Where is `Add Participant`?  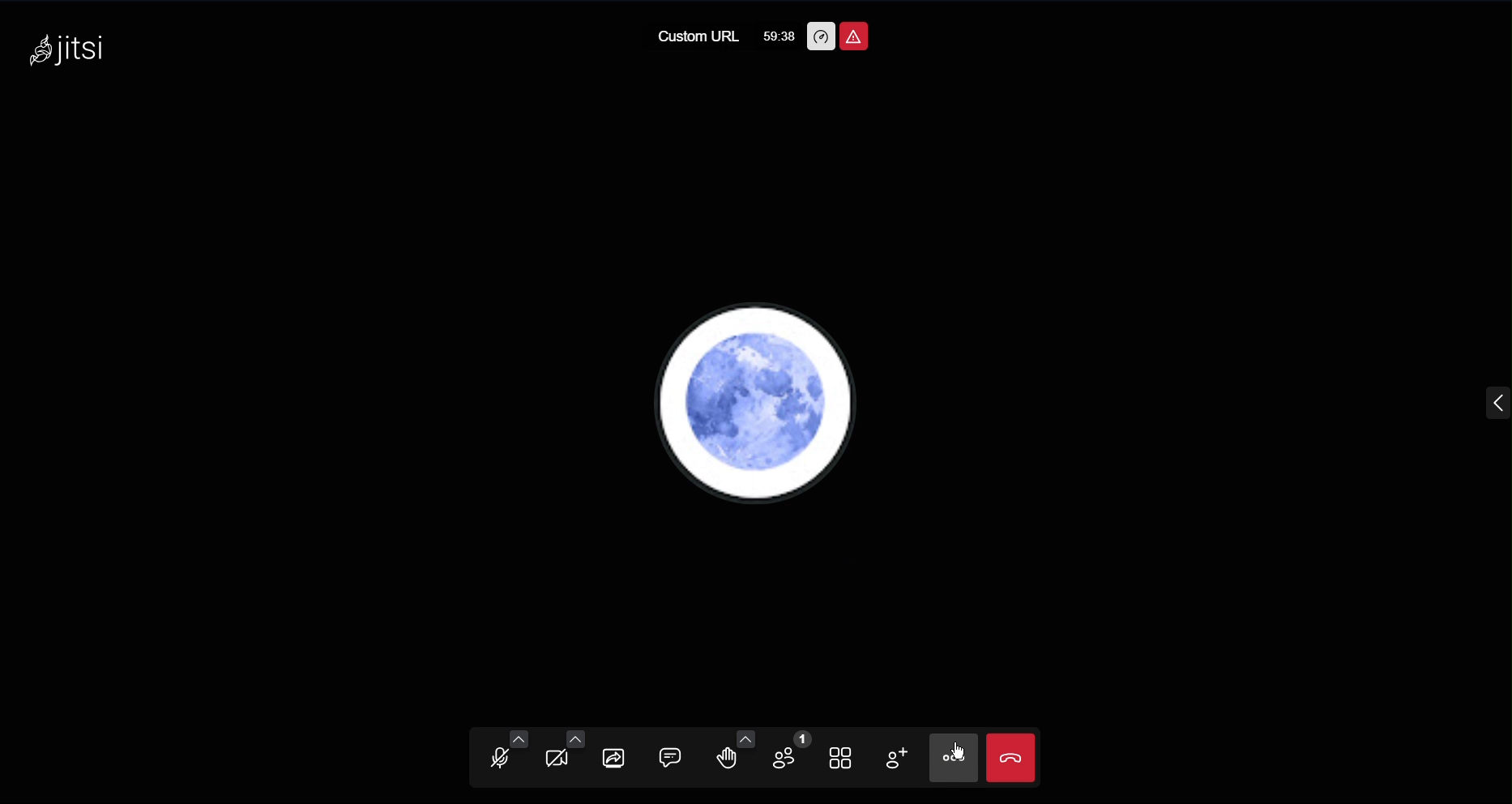
Add Participant is located at coordinates (896, 758).